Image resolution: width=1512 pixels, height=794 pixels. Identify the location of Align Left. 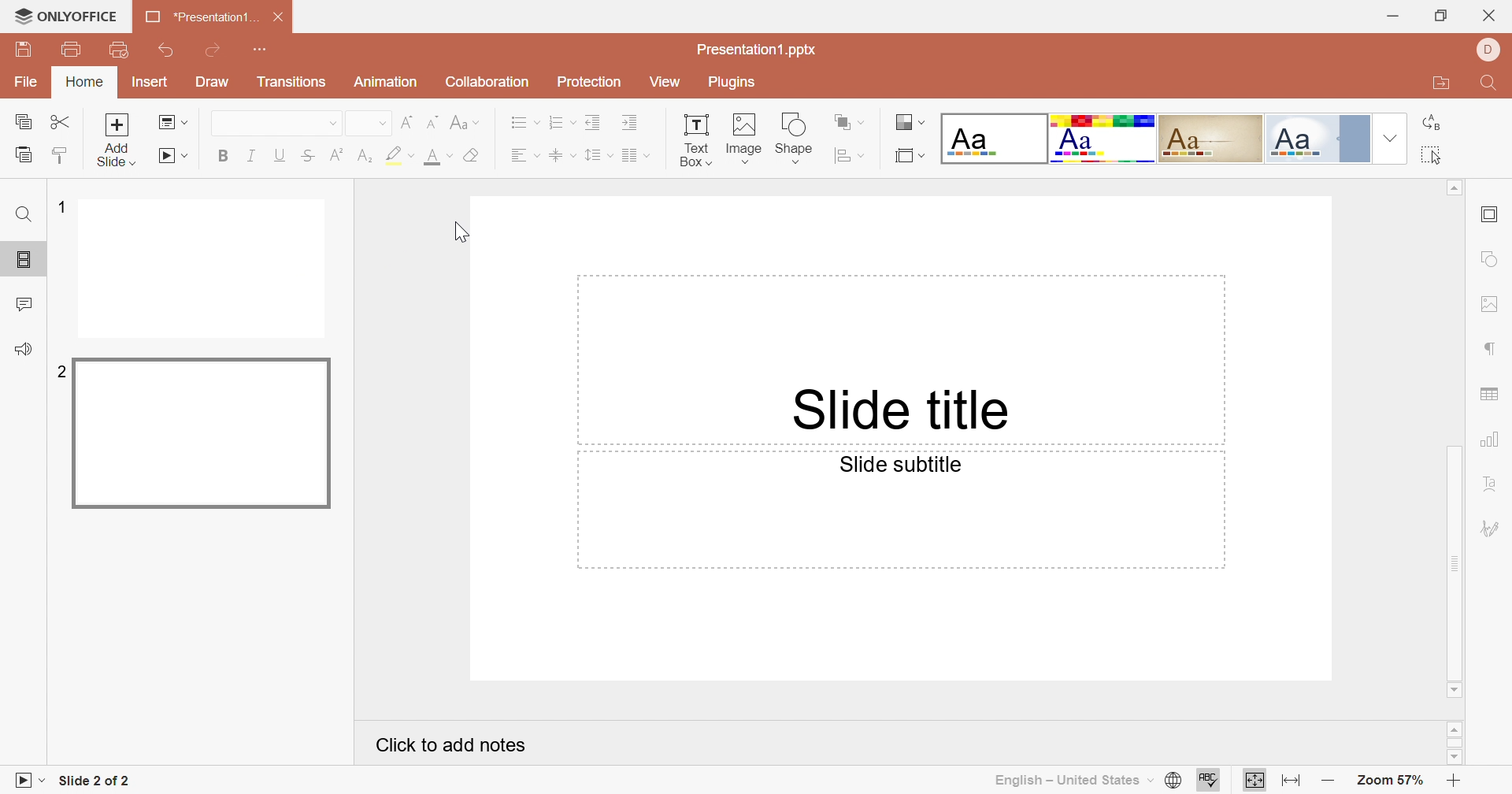
(526, 151).